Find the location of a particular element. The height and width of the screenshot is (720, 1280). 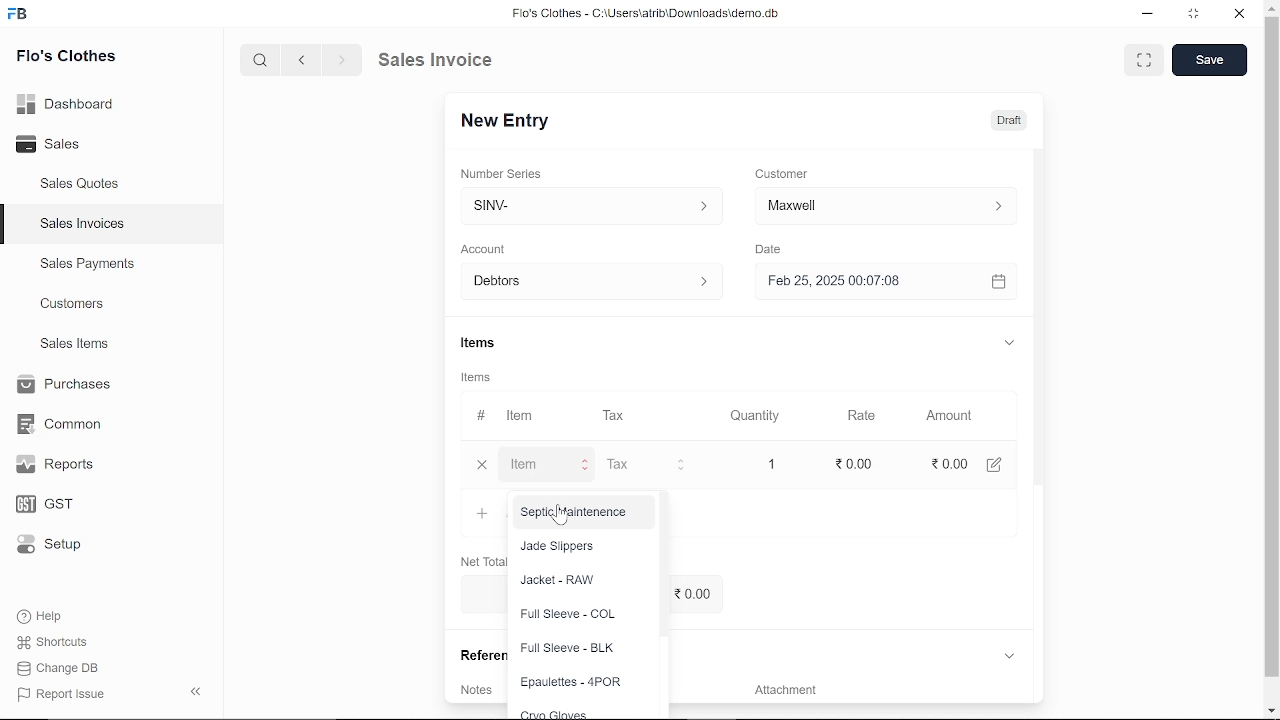

close is located at coordinates (489, 465).